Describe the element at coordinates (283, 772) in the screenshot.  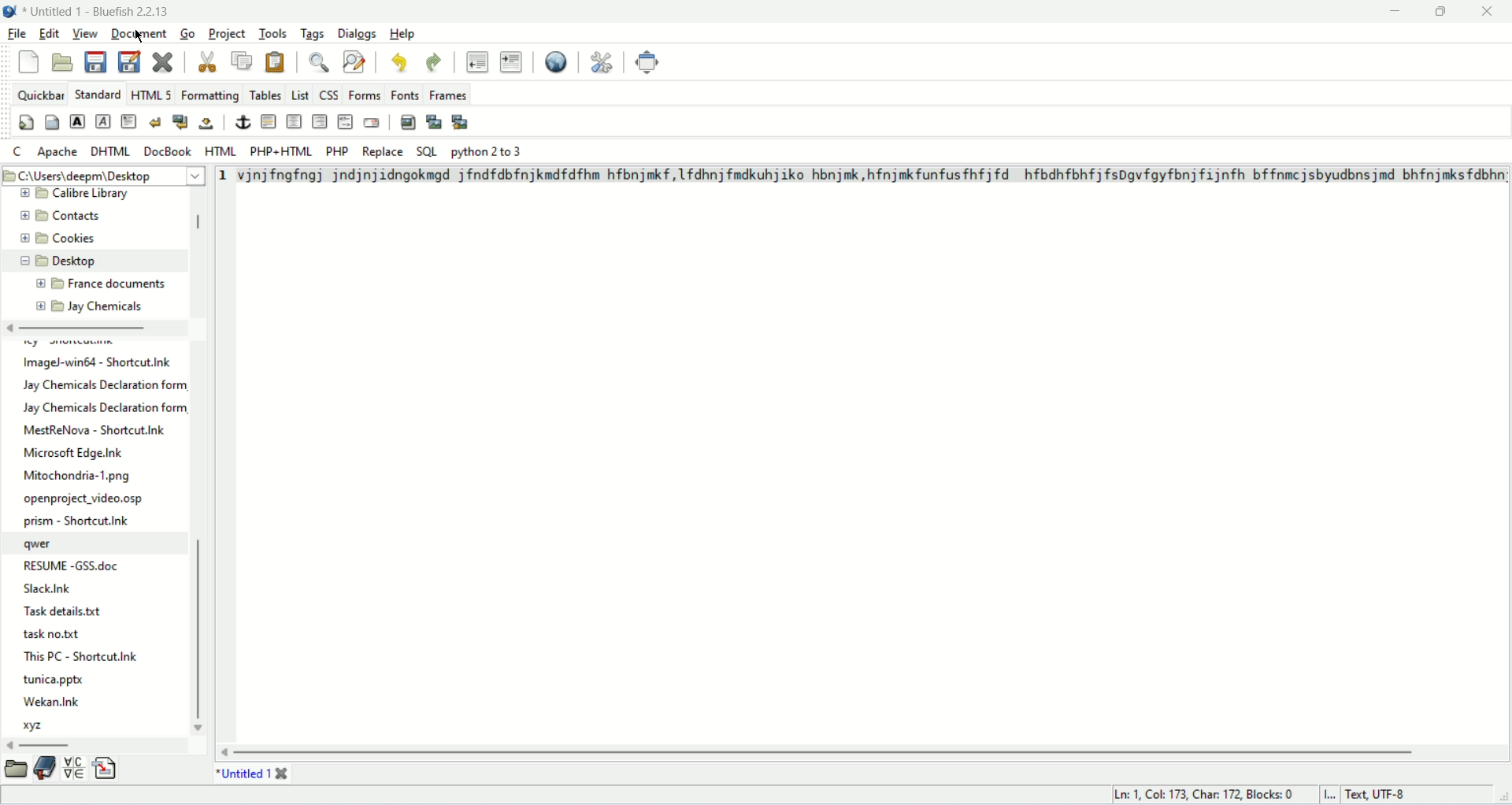
I see `close` at that location.